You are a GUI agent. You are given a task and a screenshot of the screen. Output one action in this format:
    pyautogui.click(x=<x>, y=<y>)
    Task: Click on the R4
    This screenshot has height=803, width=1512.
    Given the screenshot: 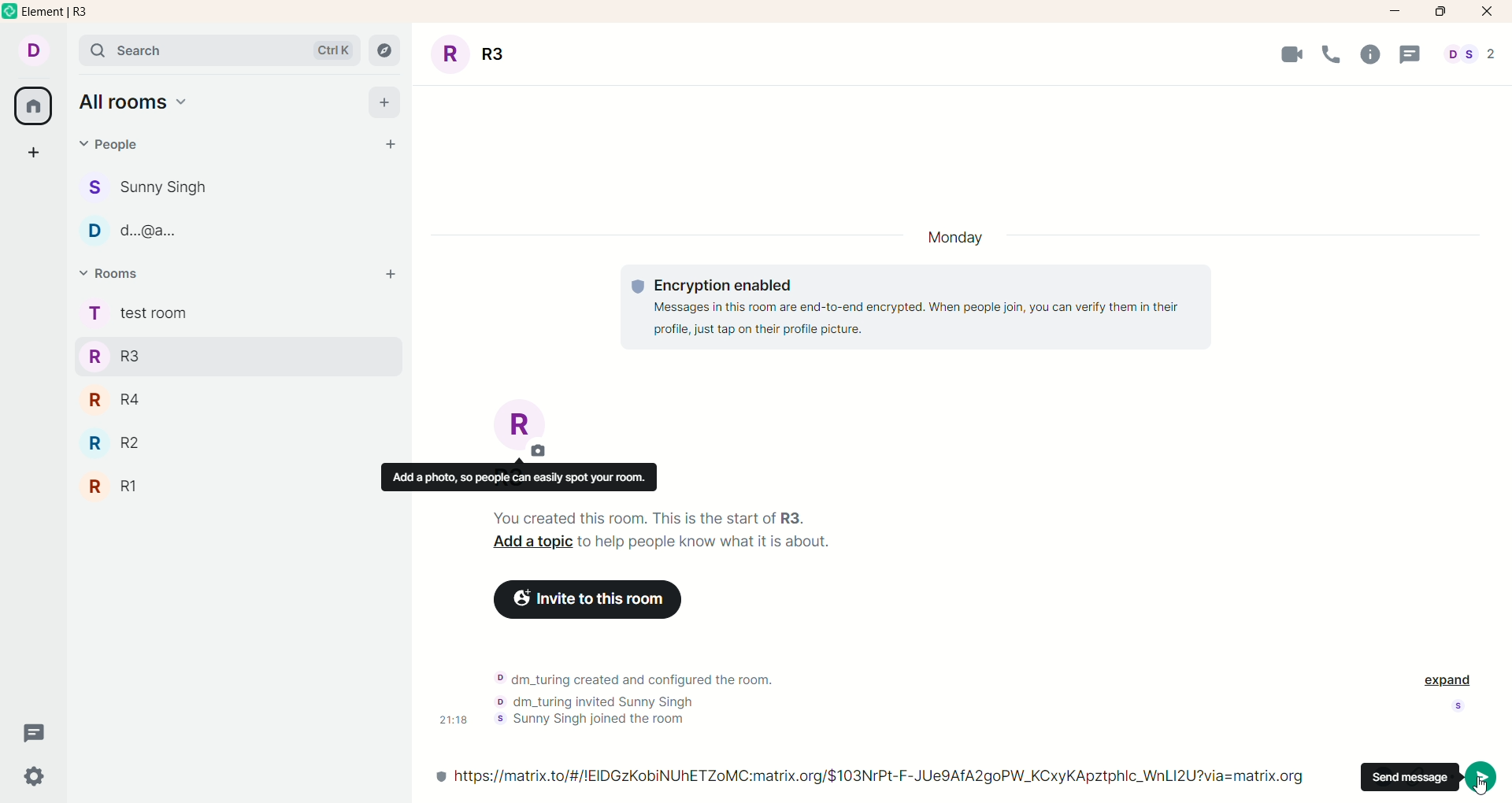 What is the action you would take?
    pyautogui.click(x=118, y=404)
    